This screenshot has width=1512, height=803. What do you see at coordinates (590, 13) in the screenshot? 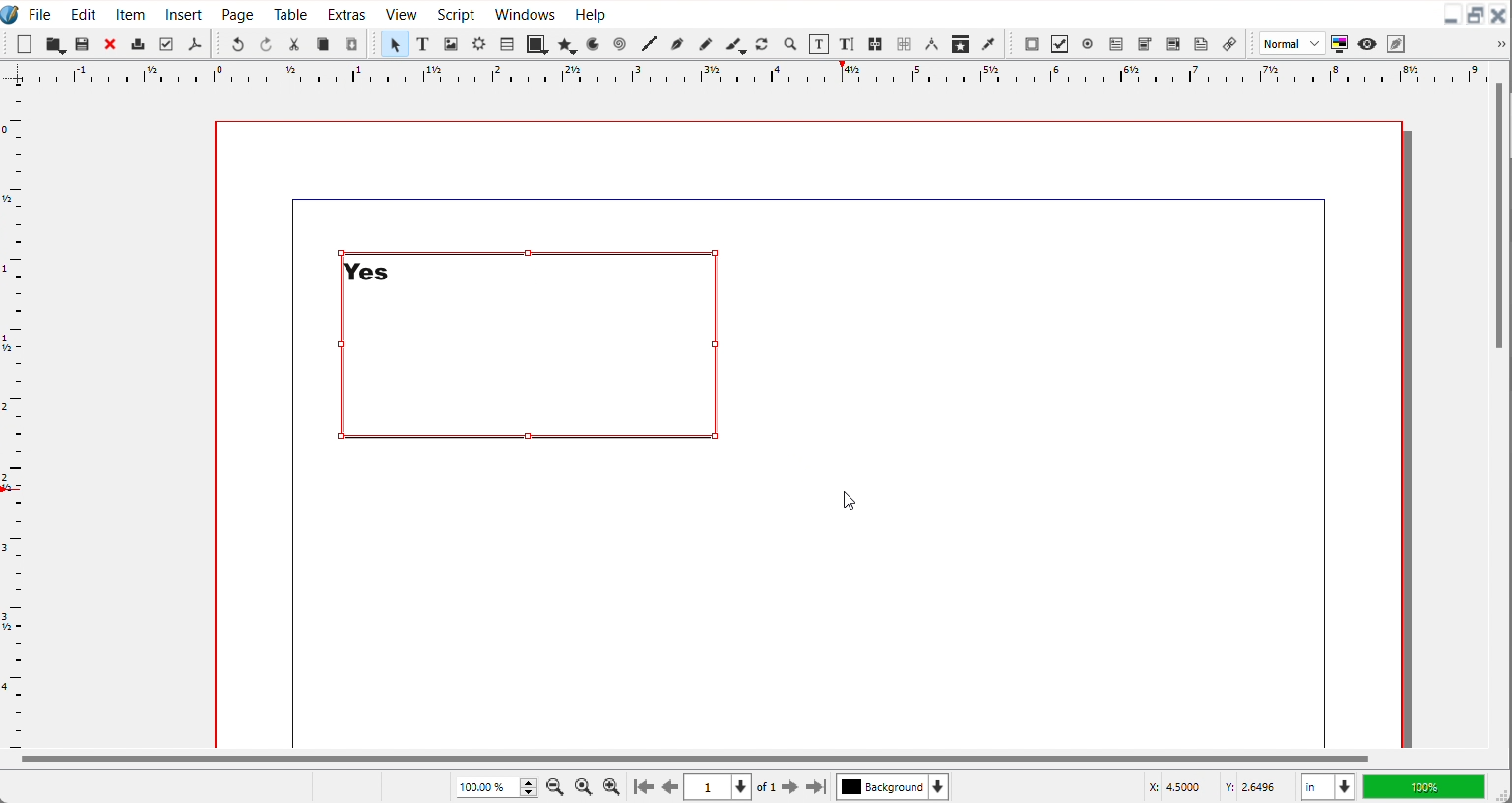
I see `Help` at bounding box center [590, 13].